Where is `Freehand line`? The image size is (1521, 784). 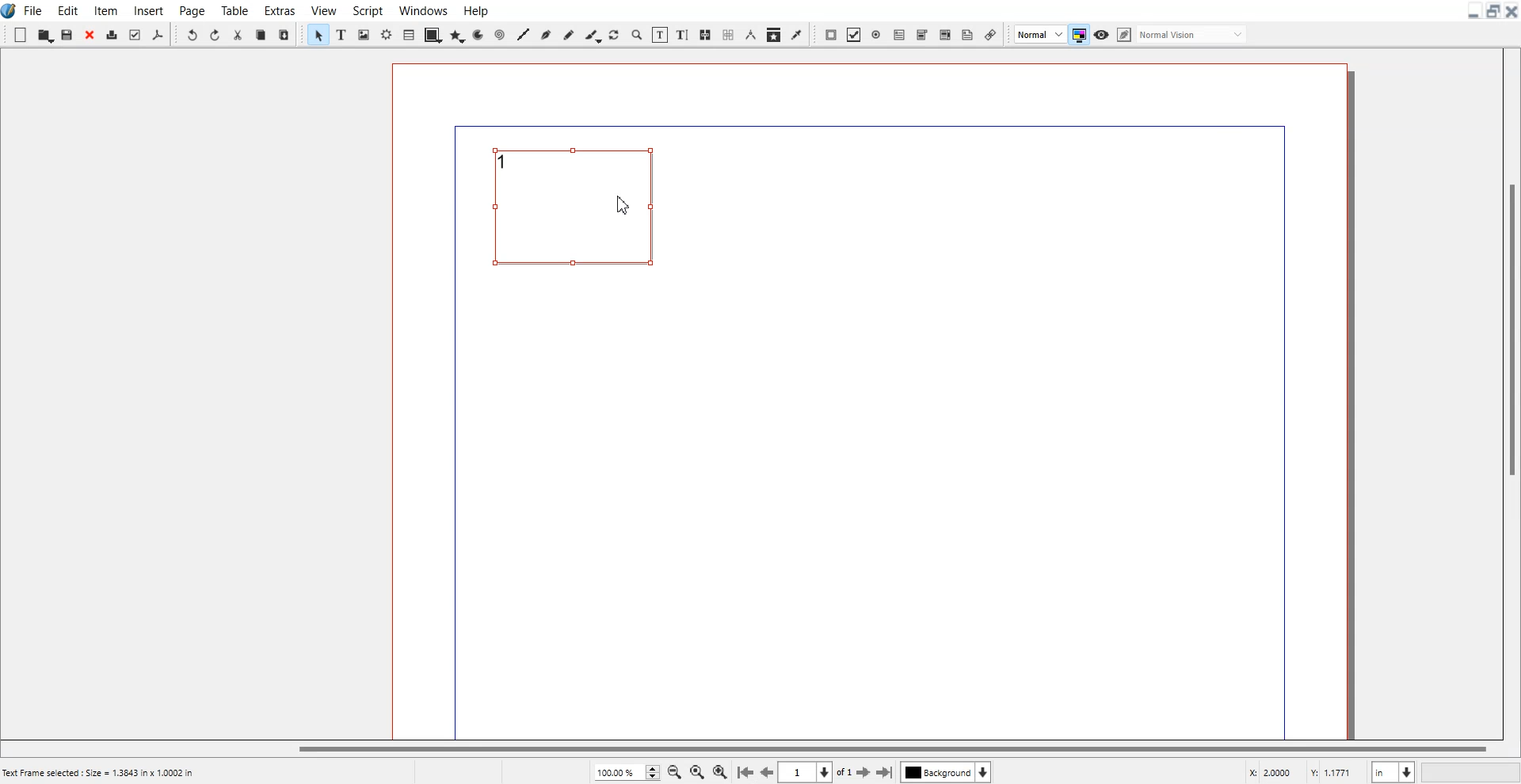 Freehand line is located at coordinates (568, 34).